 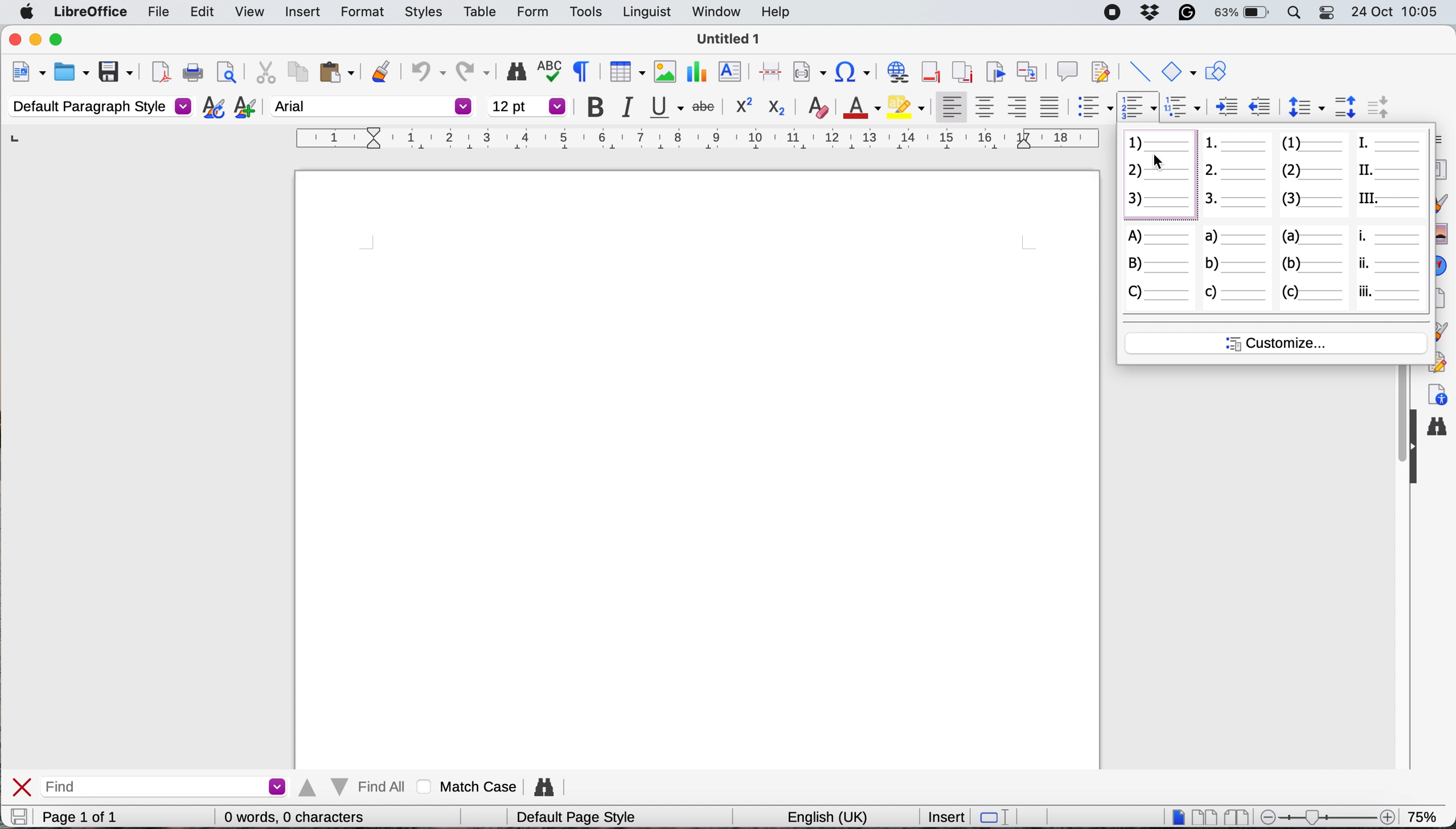 What do you see at coordinates (27, 12) in the screenshot?
I see `system logo` at bounding box center [27, 12].